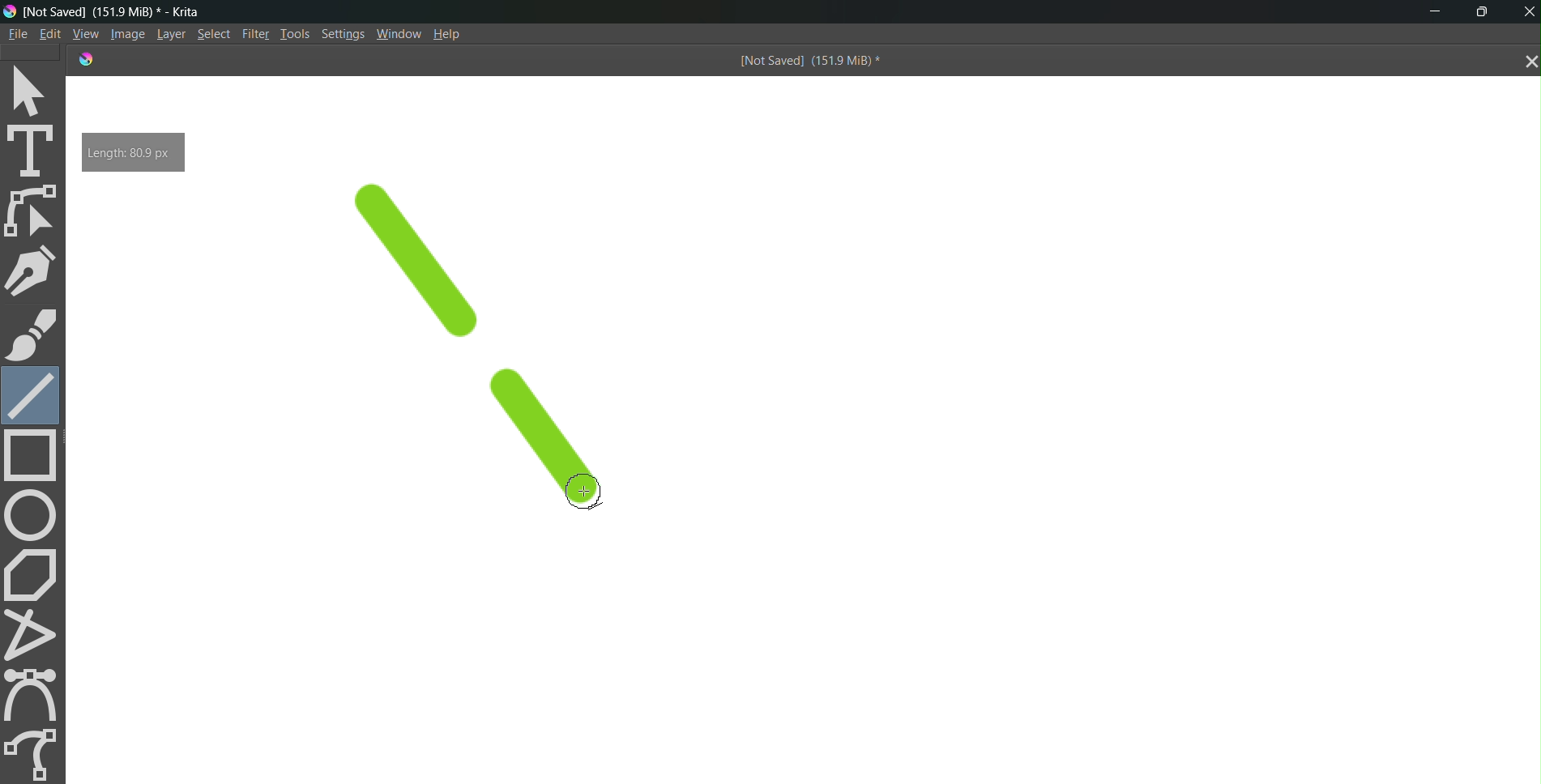 The height and width of the screenshot is (784, 1541). What do you see at coordinates (168, 35) in the screenshot?
I see `Layer` at bounding box center [168, 35].